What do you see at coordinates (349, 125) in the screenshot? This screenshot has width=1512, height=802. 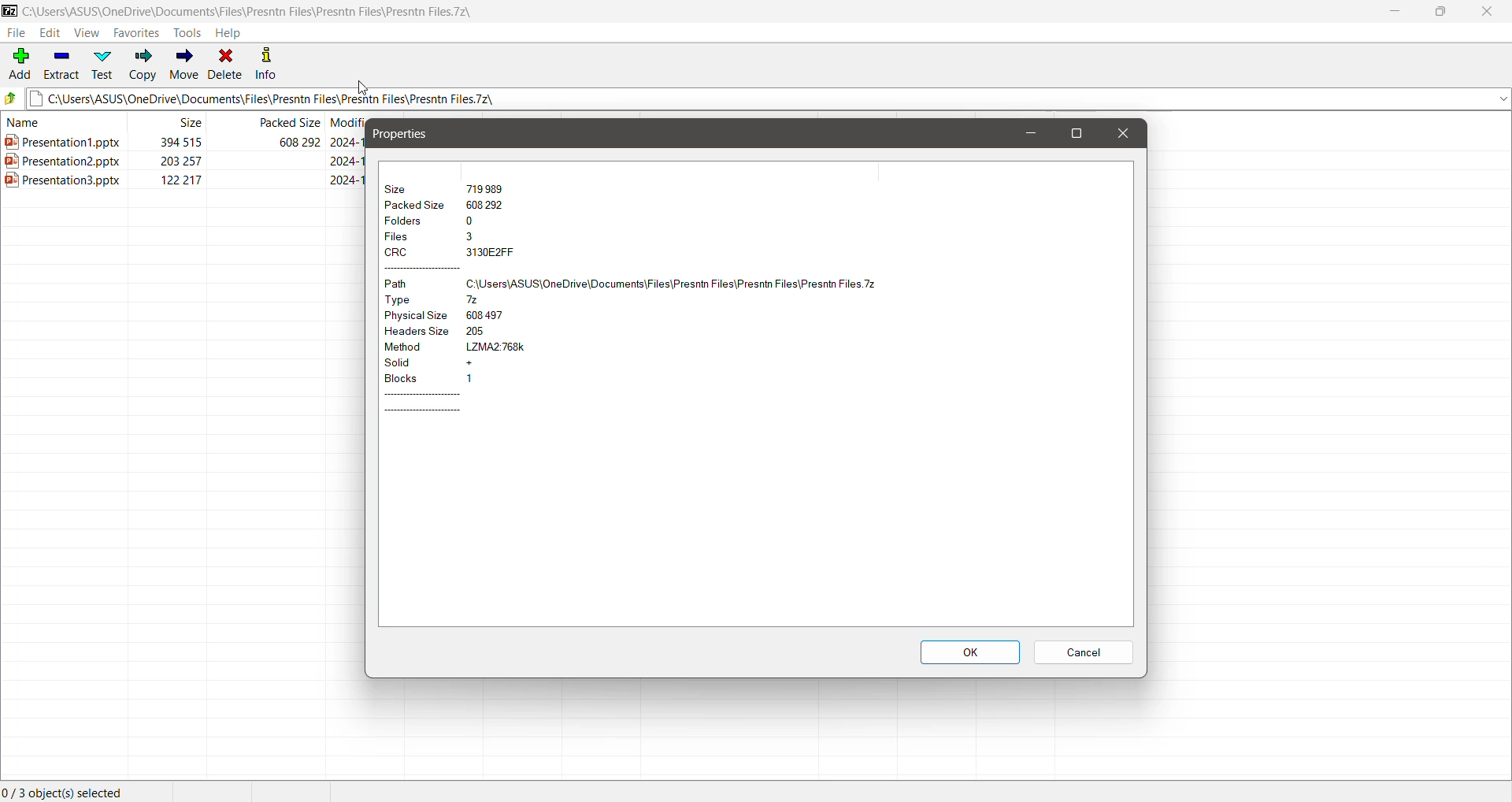 I see `Modified` at bounding box center [349, 125].